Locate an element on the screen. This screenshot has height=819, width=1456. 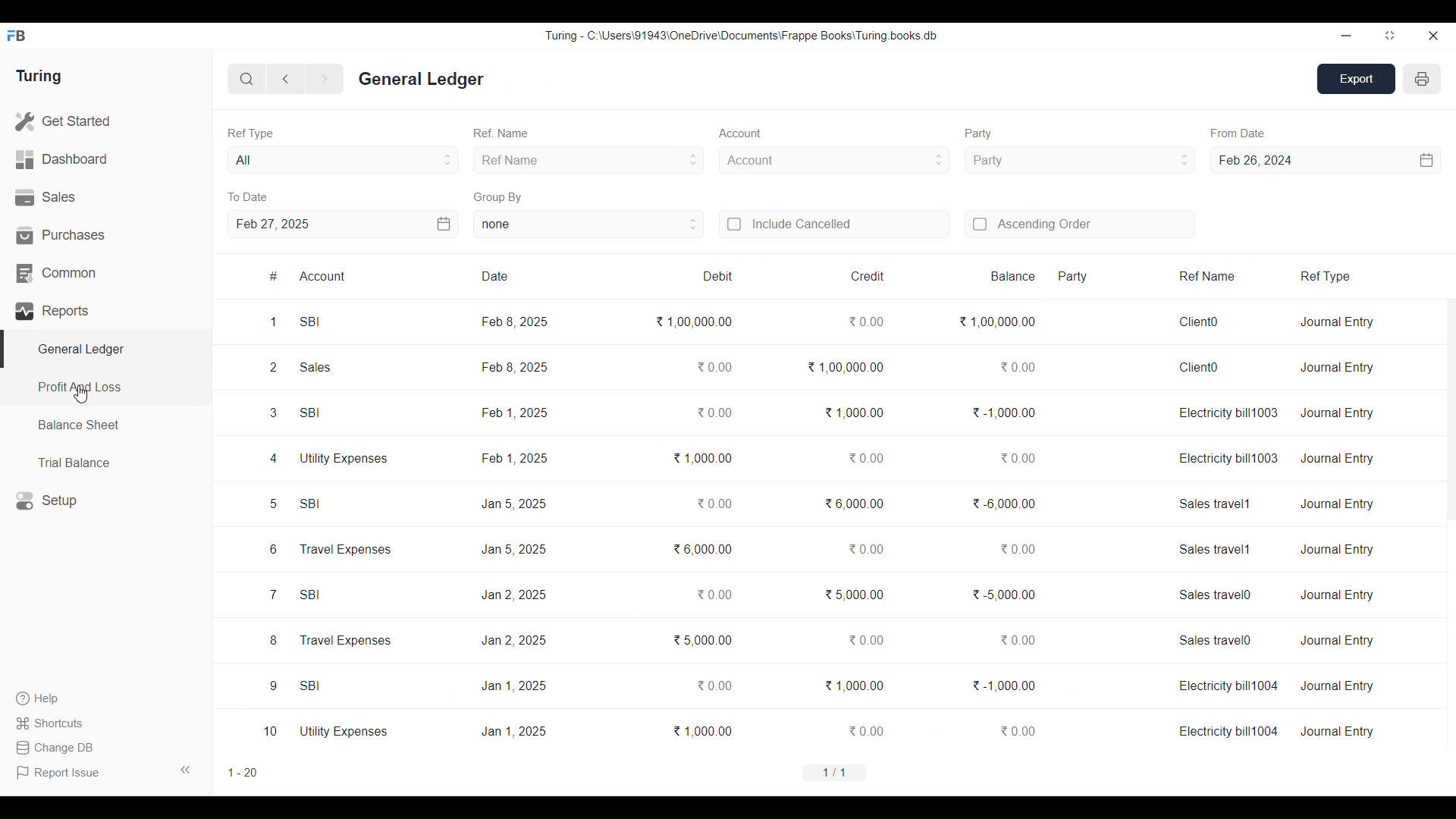
Cursor is located at coordinates (82, 394).